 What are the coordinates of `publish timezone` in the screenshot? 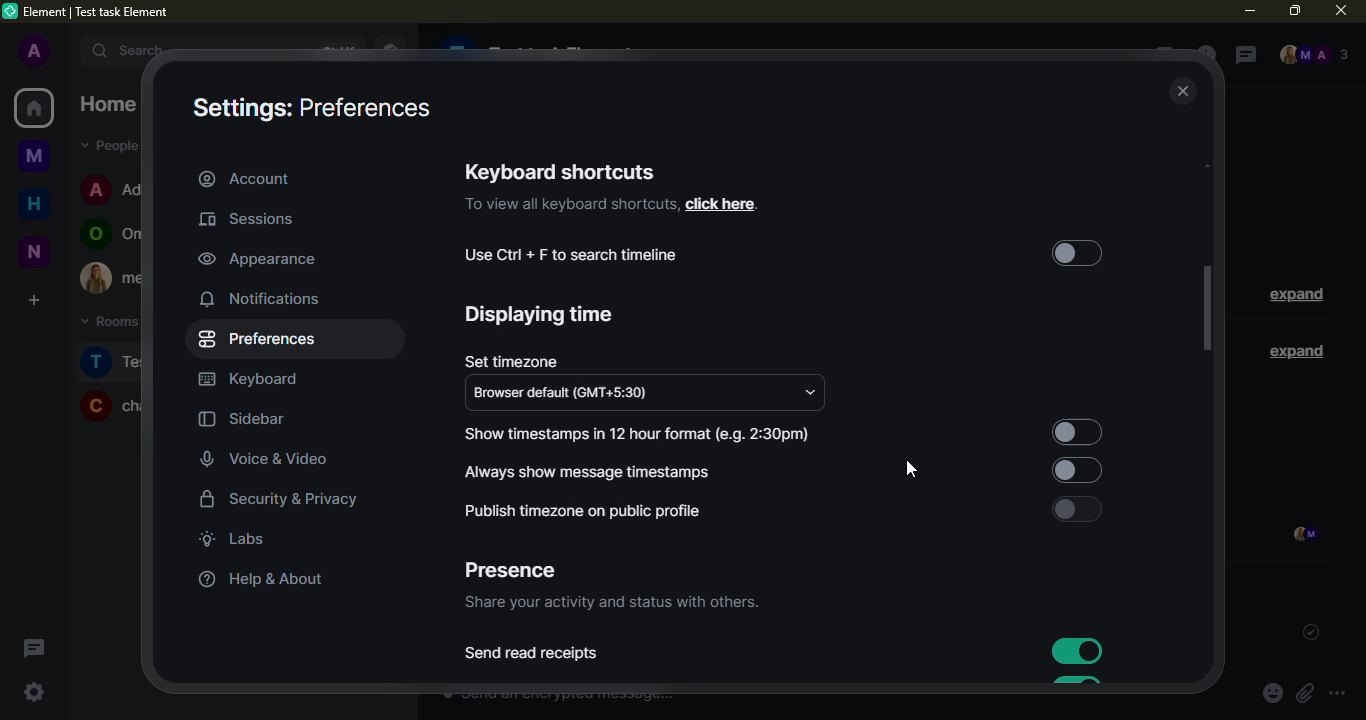 It's located at (580, 511).